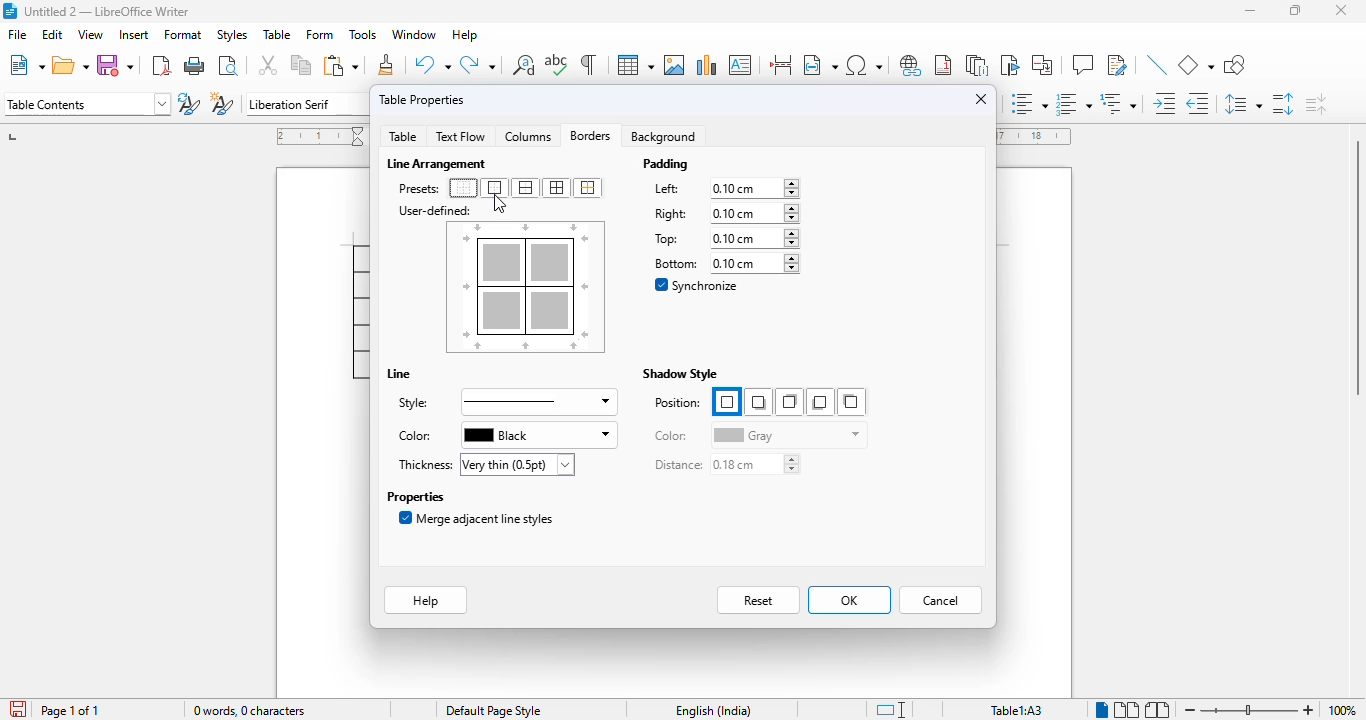 The image size is (1366, 720). Describe the element at coordinates (758, 434) in the screenshot. I see `color: gray` at that location.